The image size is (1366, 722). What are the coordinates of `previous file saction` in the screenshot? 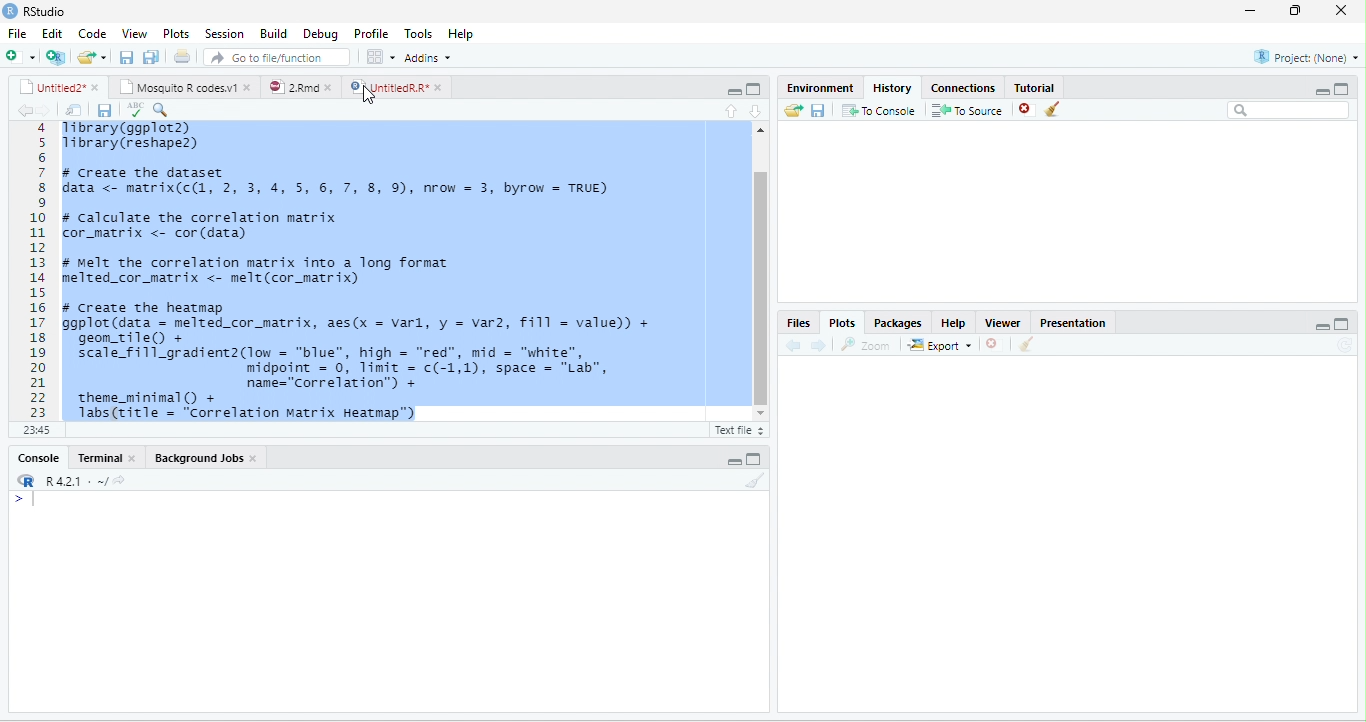 It's located at (128, 56).